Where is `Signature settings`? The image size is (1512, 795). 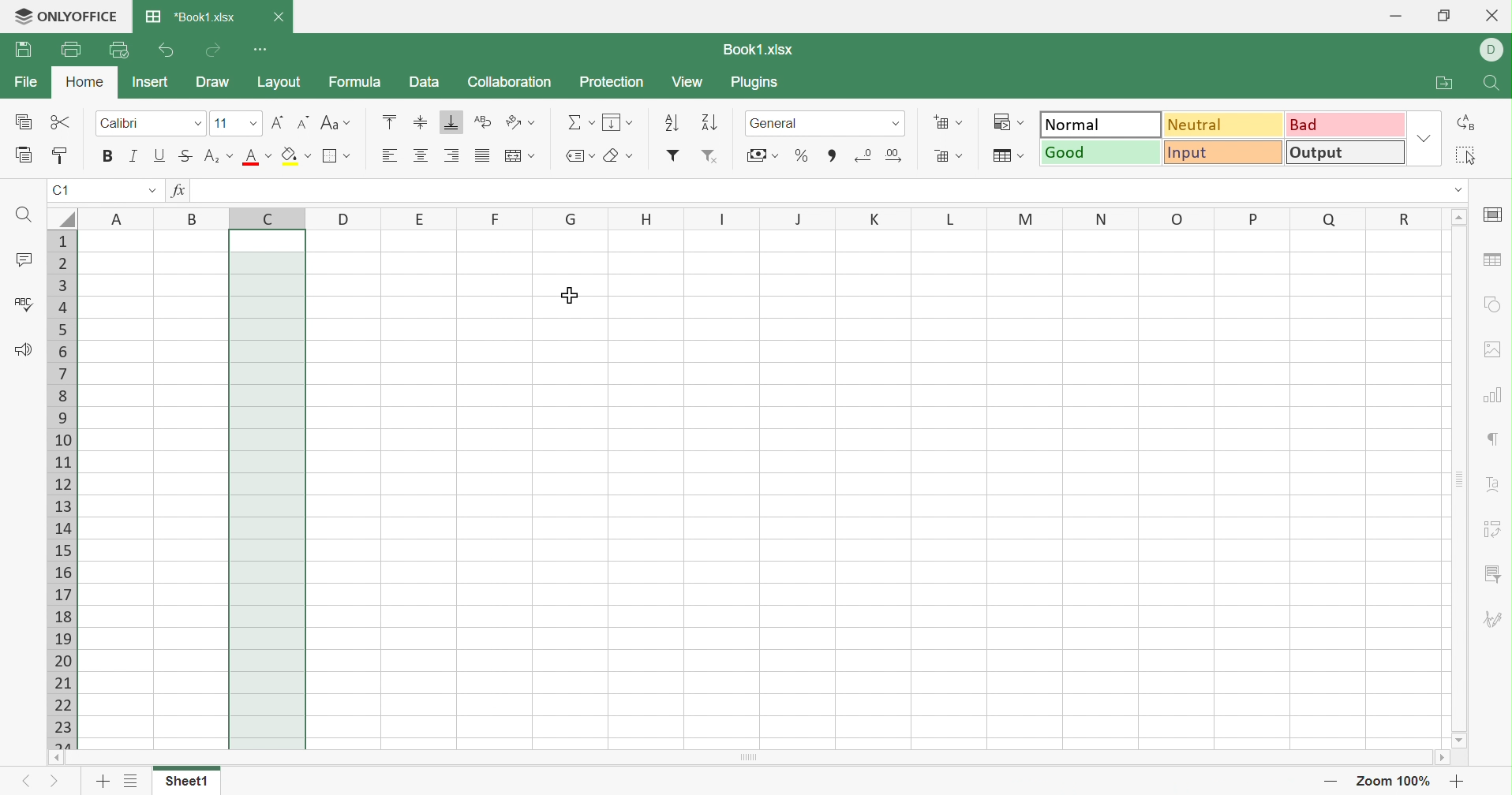
Signature settings is located at coordinates (1494, 621).